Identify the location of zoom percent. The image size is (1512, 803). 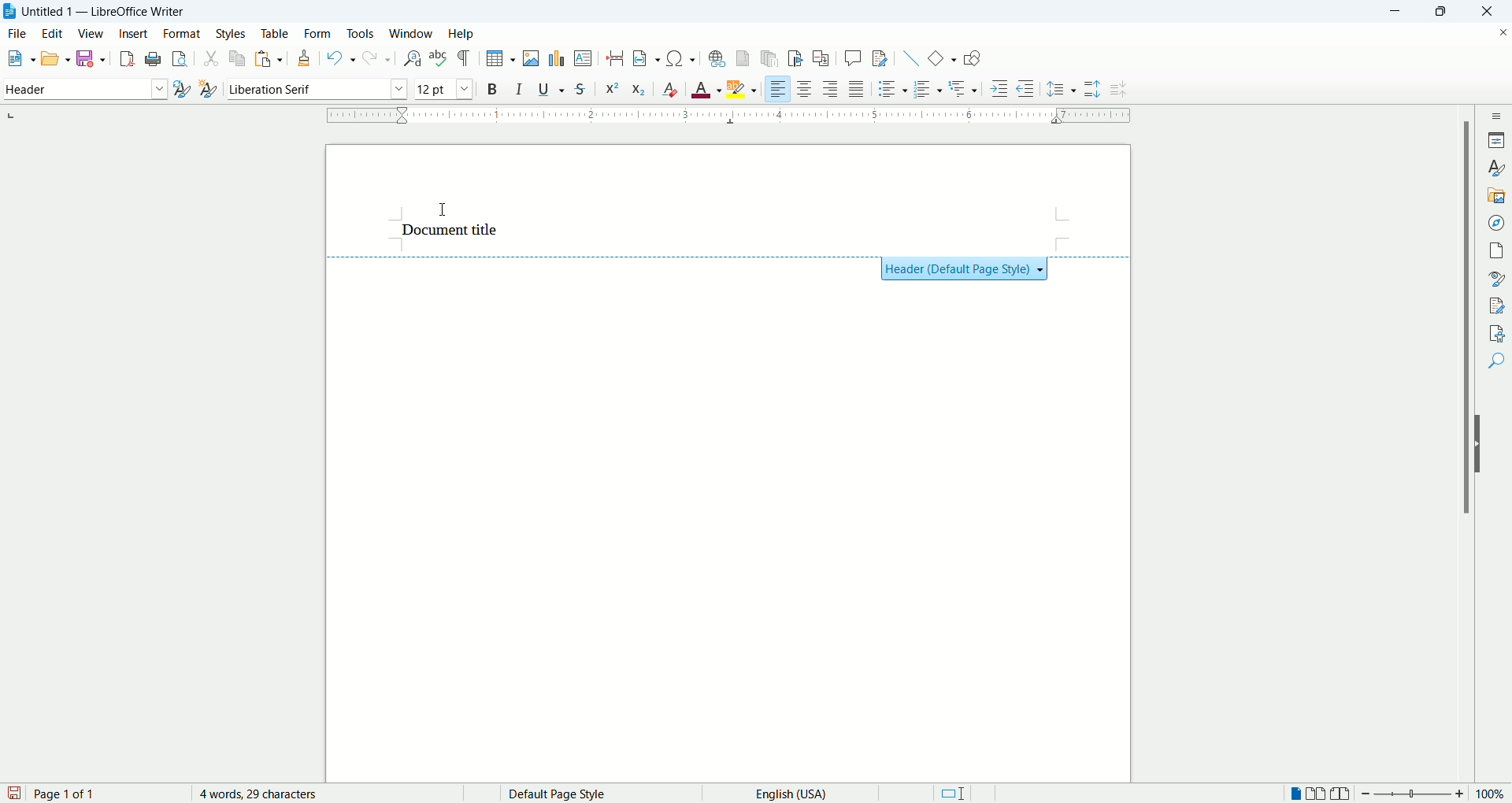
(1493, 794).